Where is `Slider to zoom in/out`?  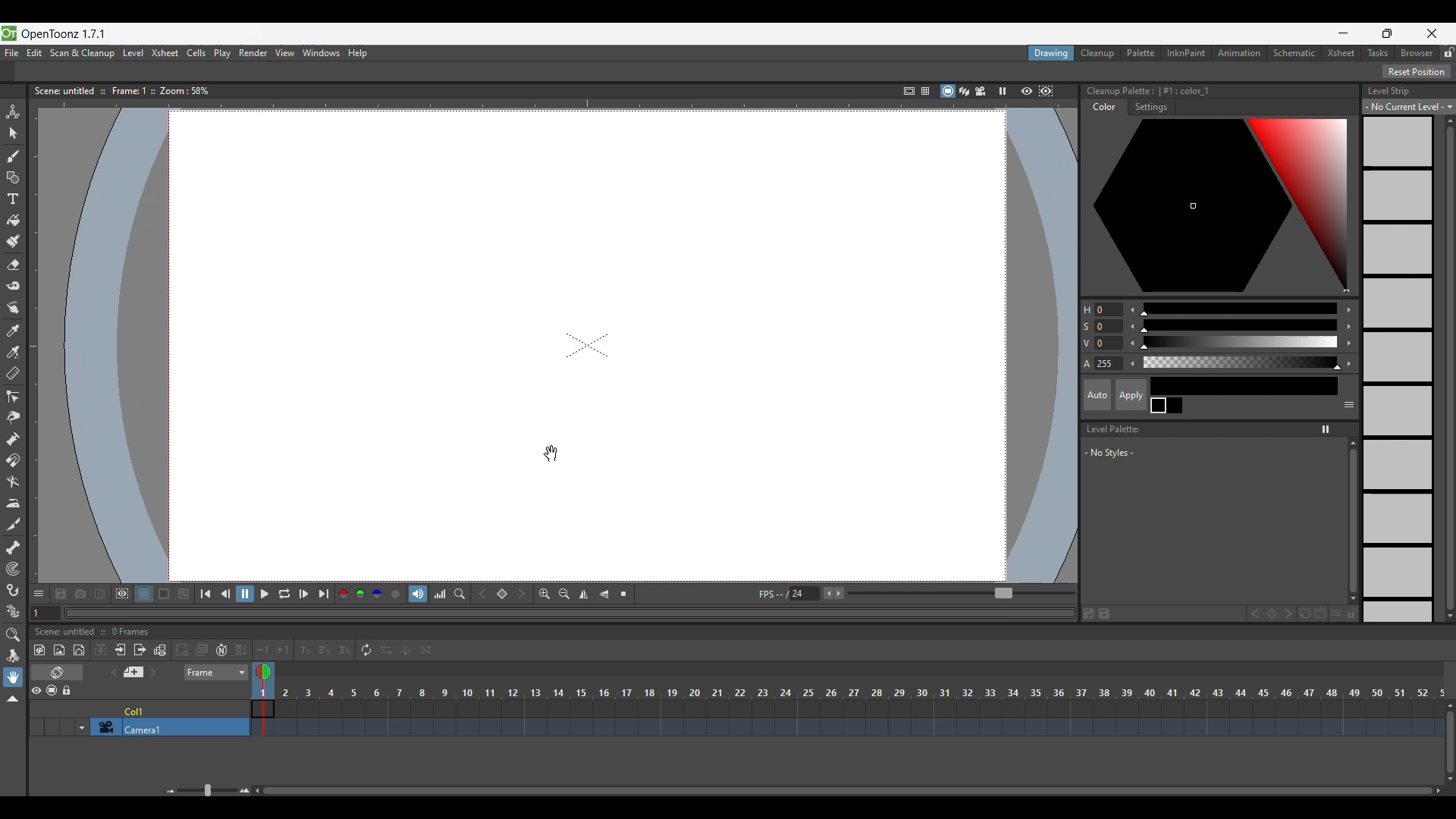
Slider to zoom in/out is located at coordinates (207, 791).